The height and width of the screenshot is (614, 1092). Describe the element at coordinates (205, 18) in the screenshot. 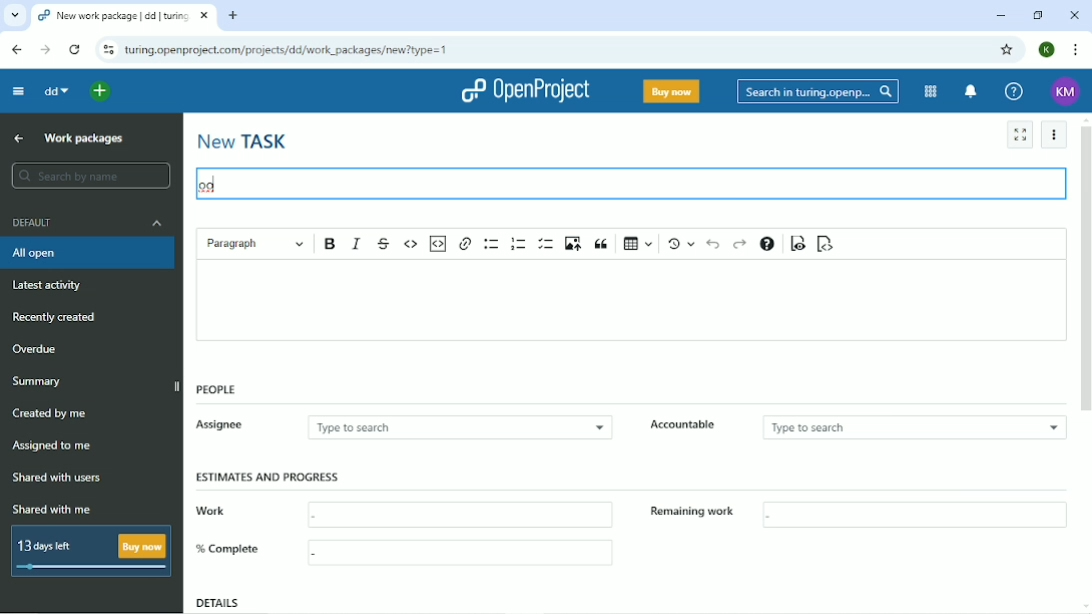

I see `close` at that location.